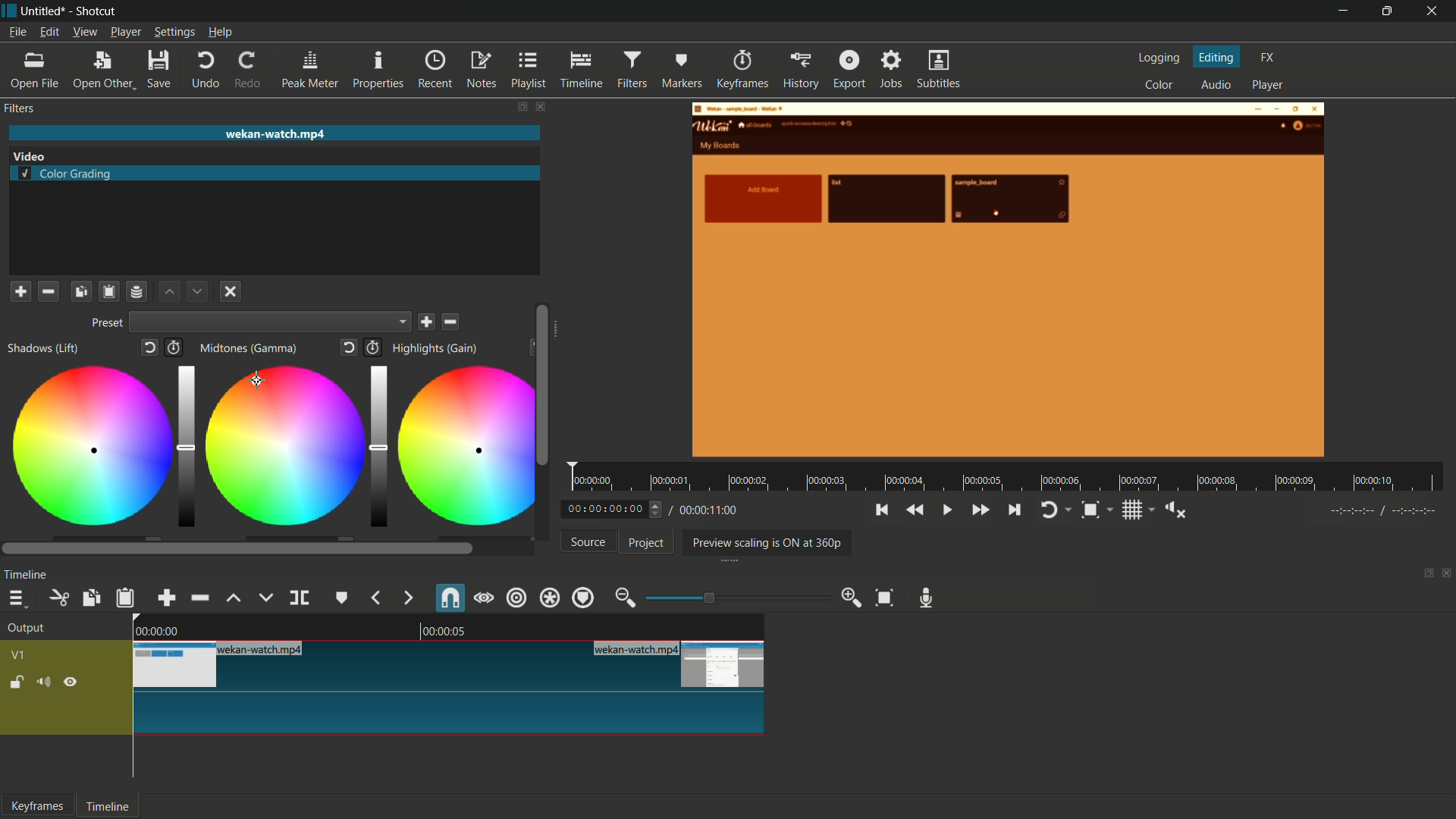  I want to click on create or edit marker, so click(340, 598).